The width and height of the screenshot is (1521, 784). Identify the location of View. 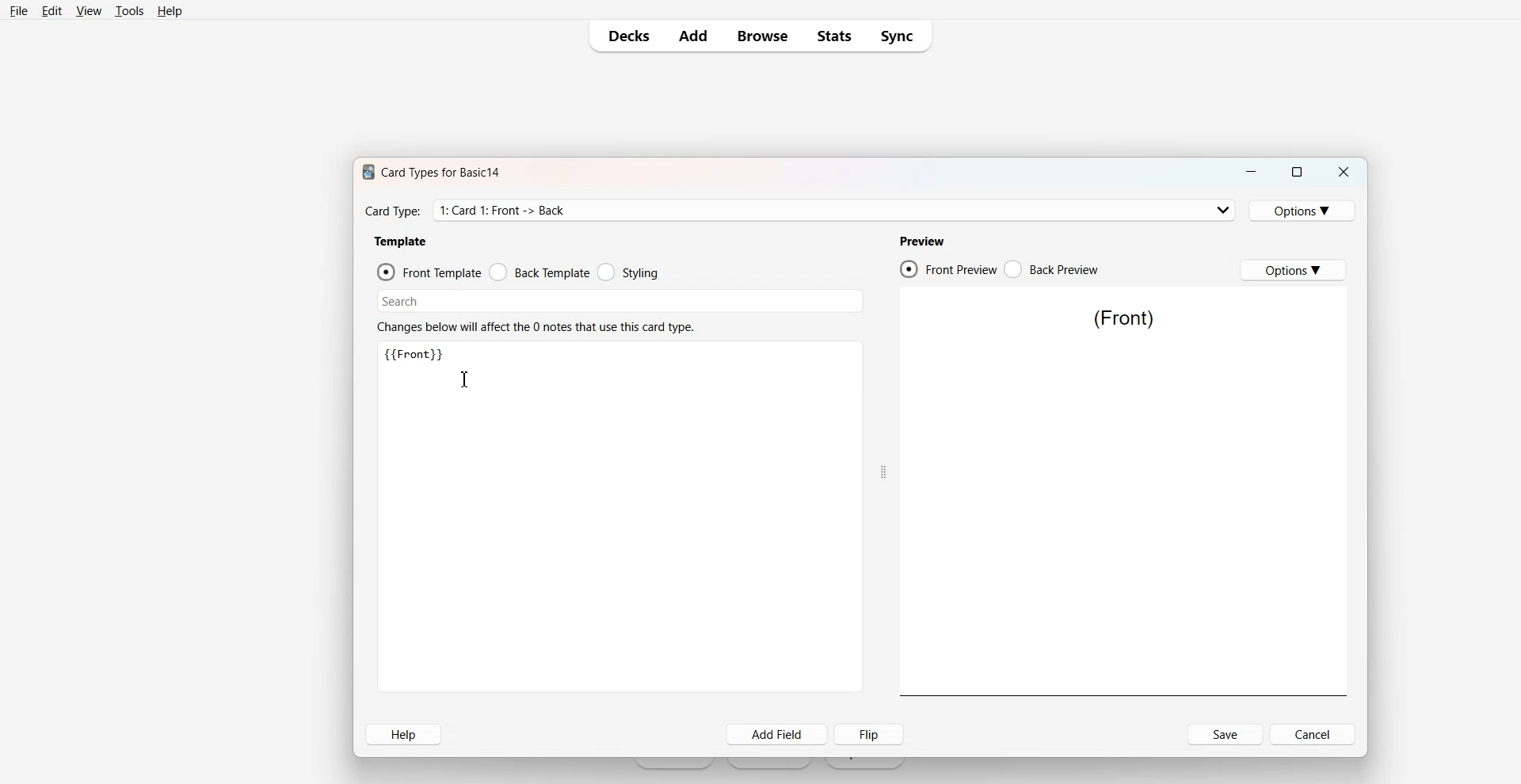
(88, 11).